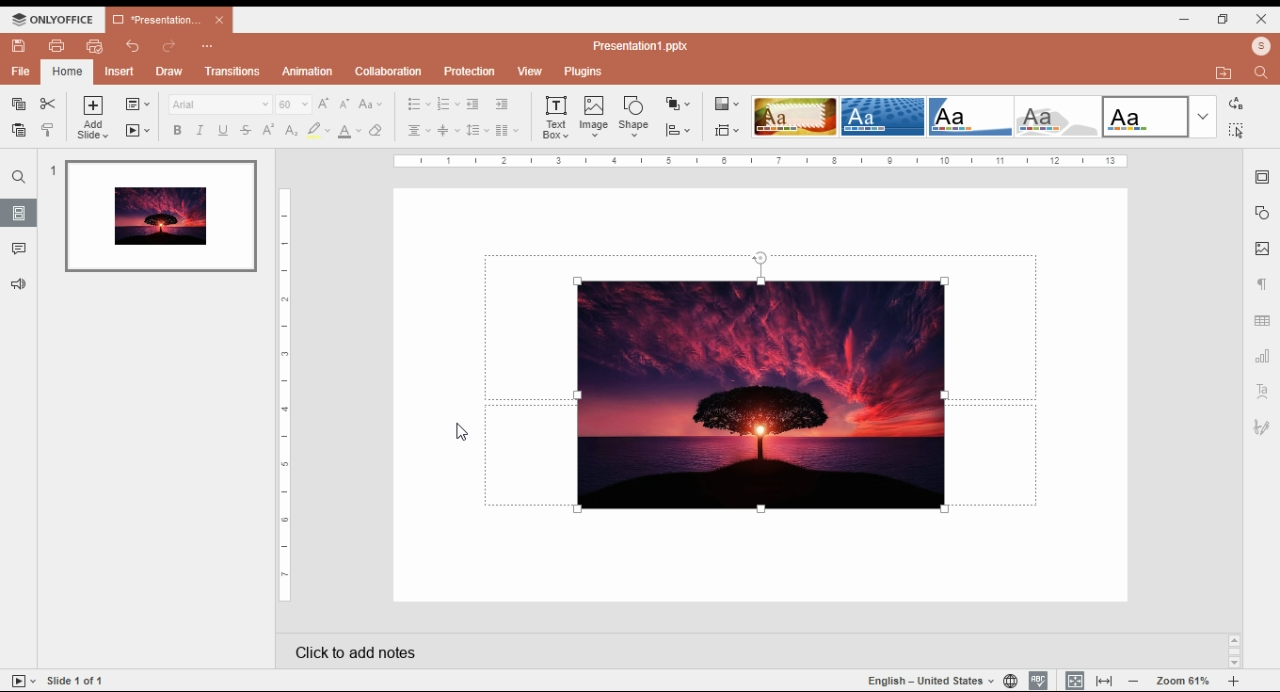  Describe the element at coordinates (269, 129) in the screenshot. I see `superscript` at that location.